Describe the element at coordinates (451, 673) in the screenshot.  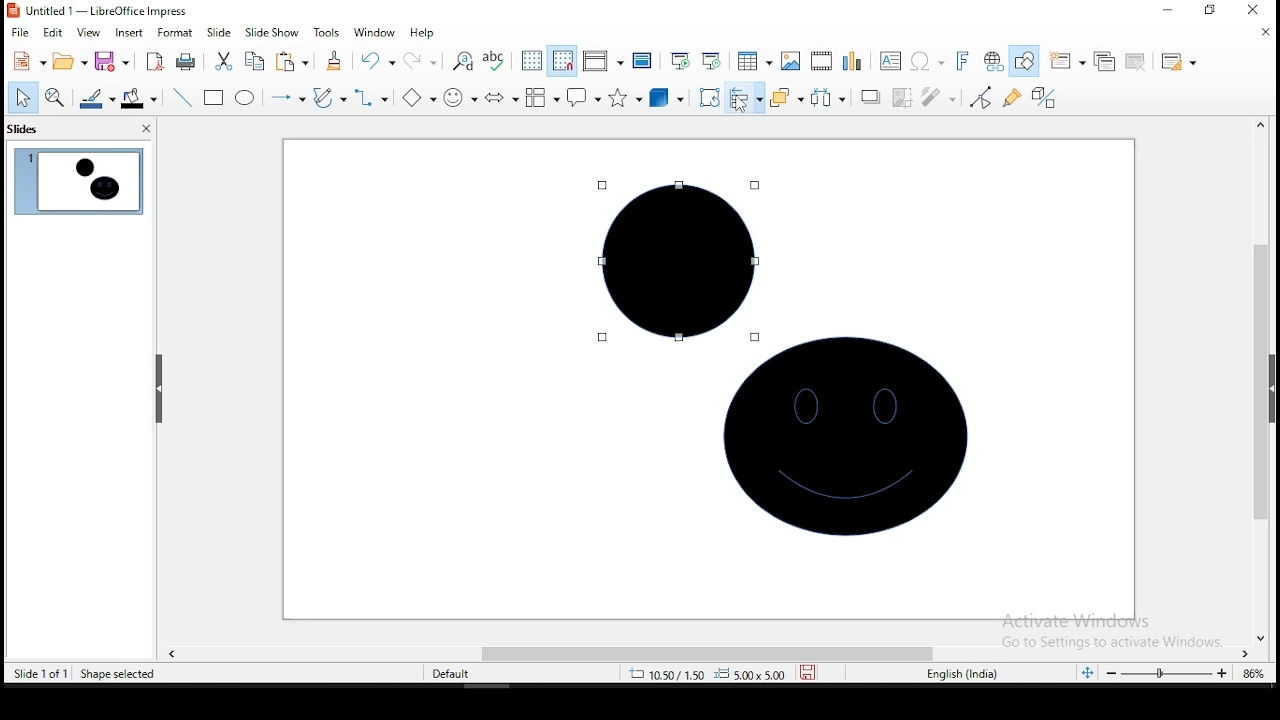
I see `default` at that location.